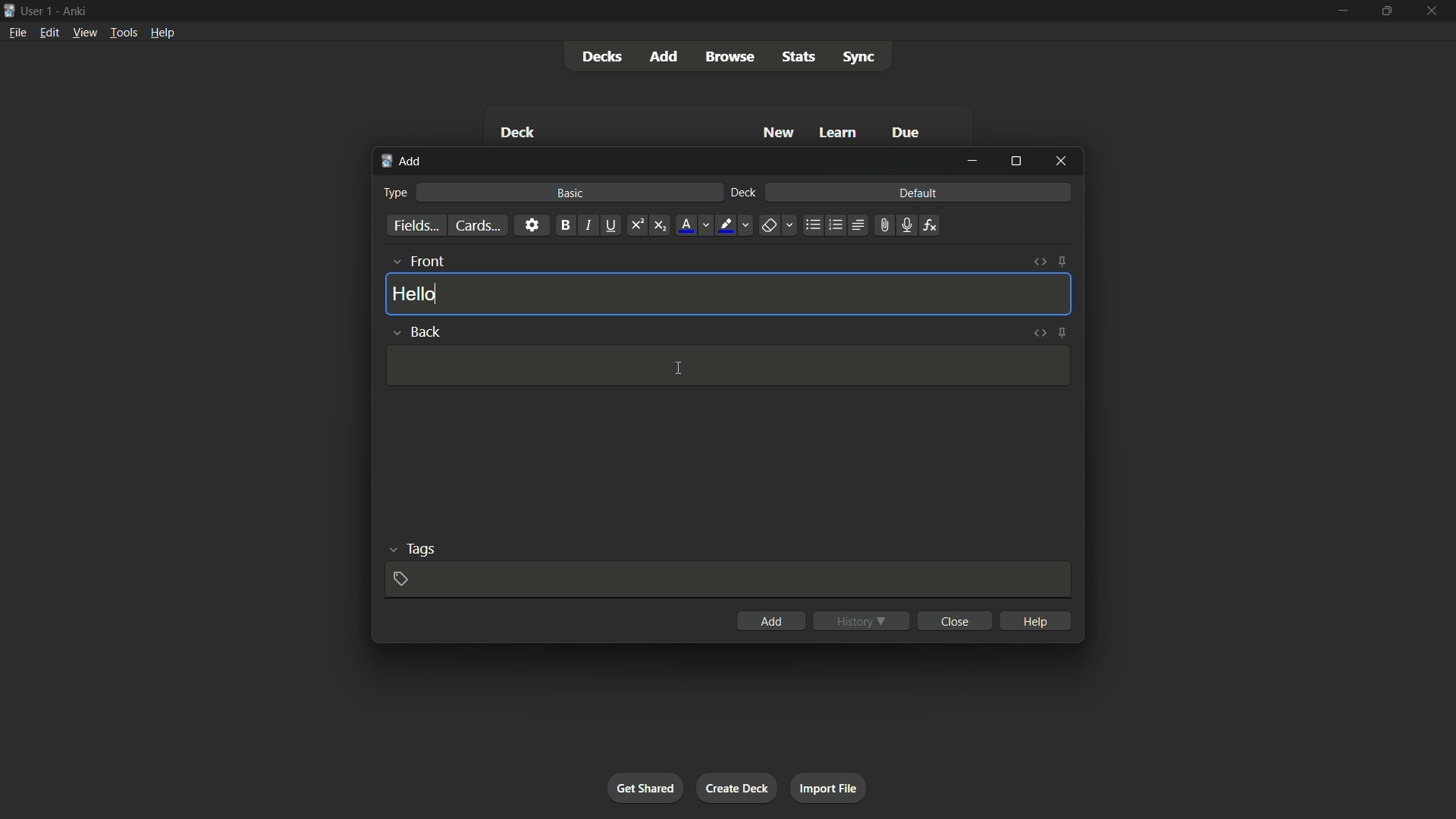  What do you see at coordinates (918, 192) in the screenshot?
I see `default` at bounding box center [918, 192].